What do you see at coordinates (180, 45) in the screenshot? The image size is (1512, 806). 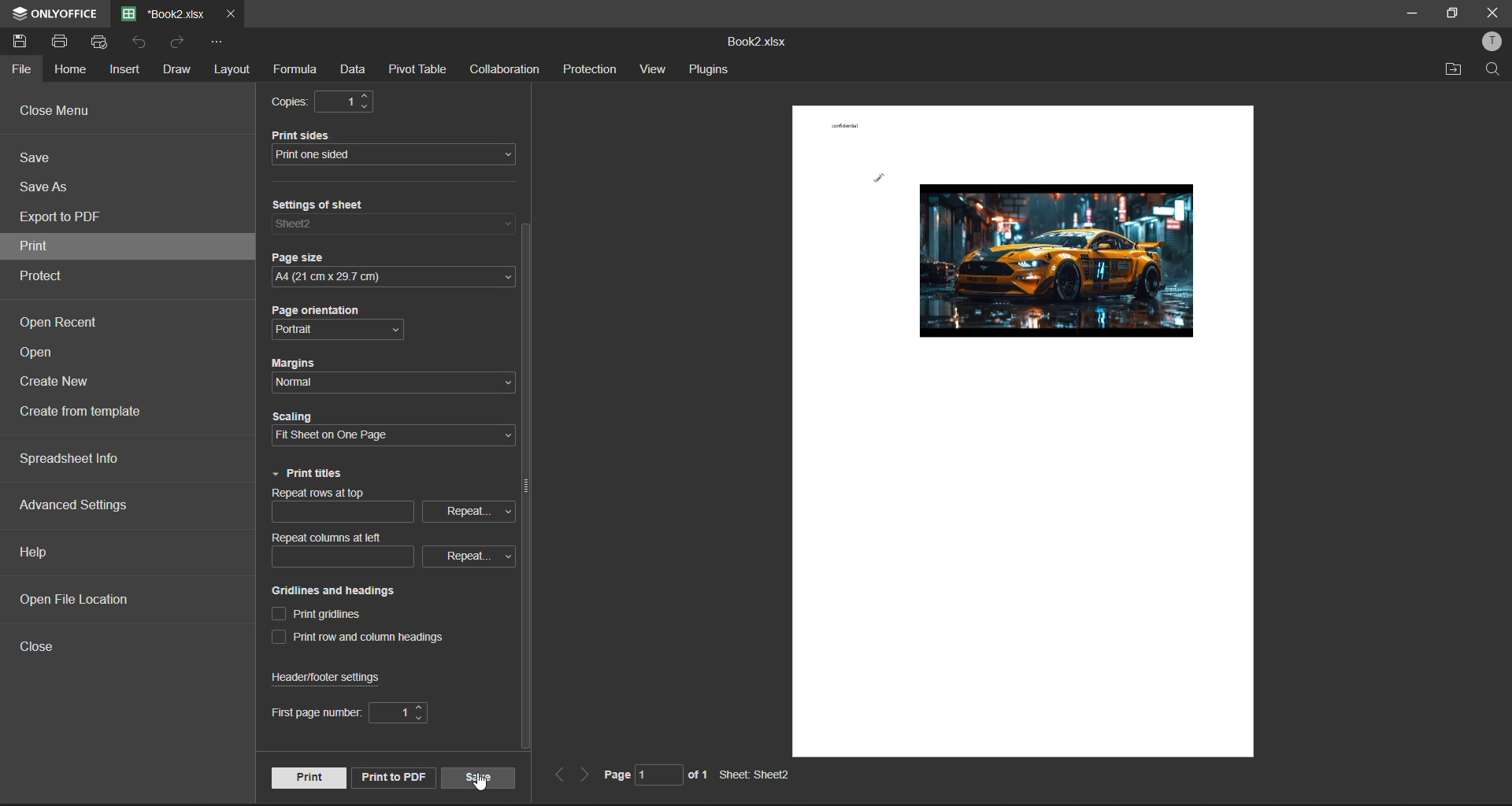 I see `redo` at bounding box center [180, 45].